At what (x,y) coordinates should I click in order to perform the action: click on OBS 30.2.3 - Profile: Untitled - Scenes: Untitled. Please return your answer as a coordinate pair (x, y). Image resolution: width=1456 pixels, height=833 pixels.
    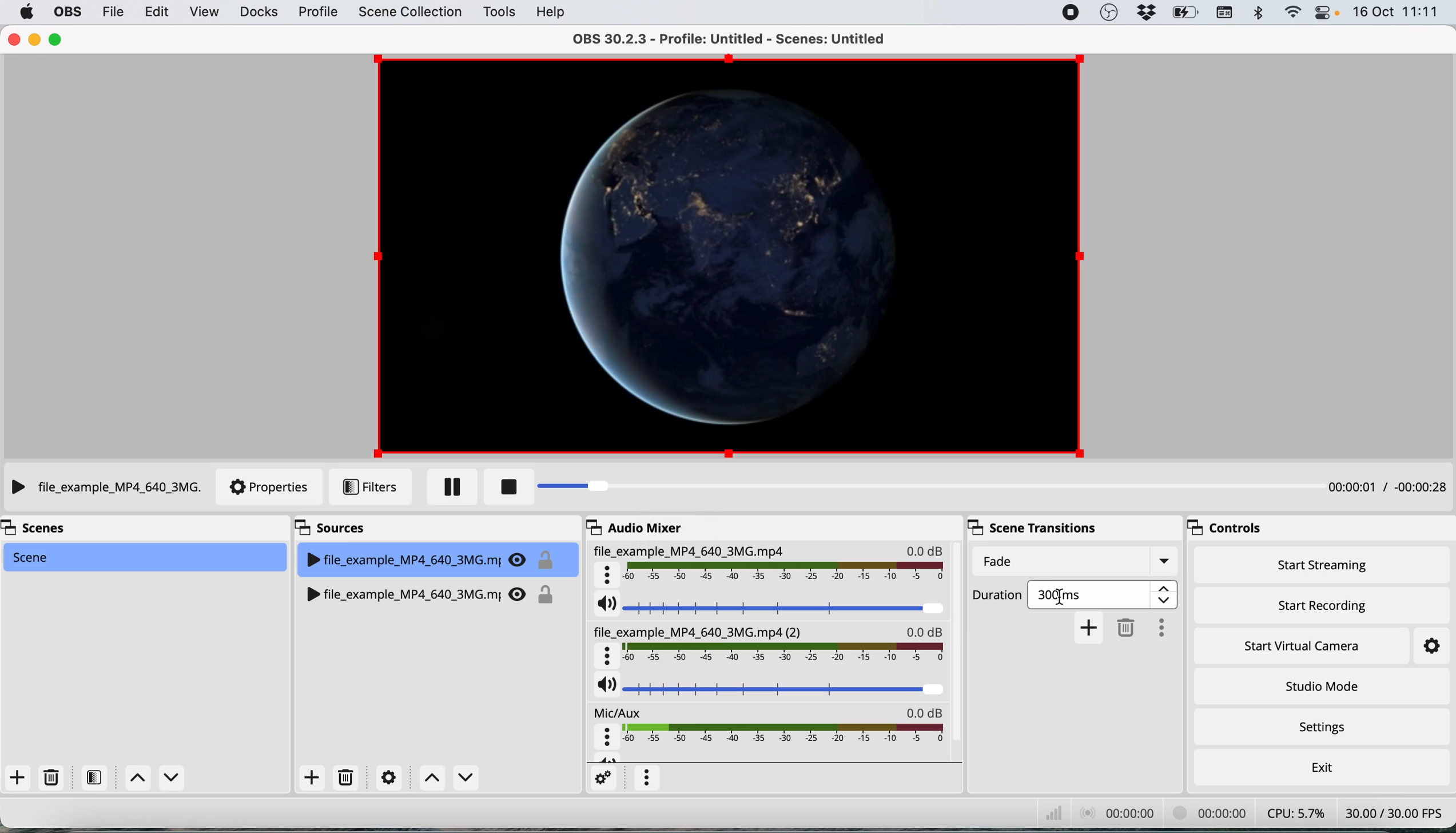
    Looking at the image, I should click on (723, 40).